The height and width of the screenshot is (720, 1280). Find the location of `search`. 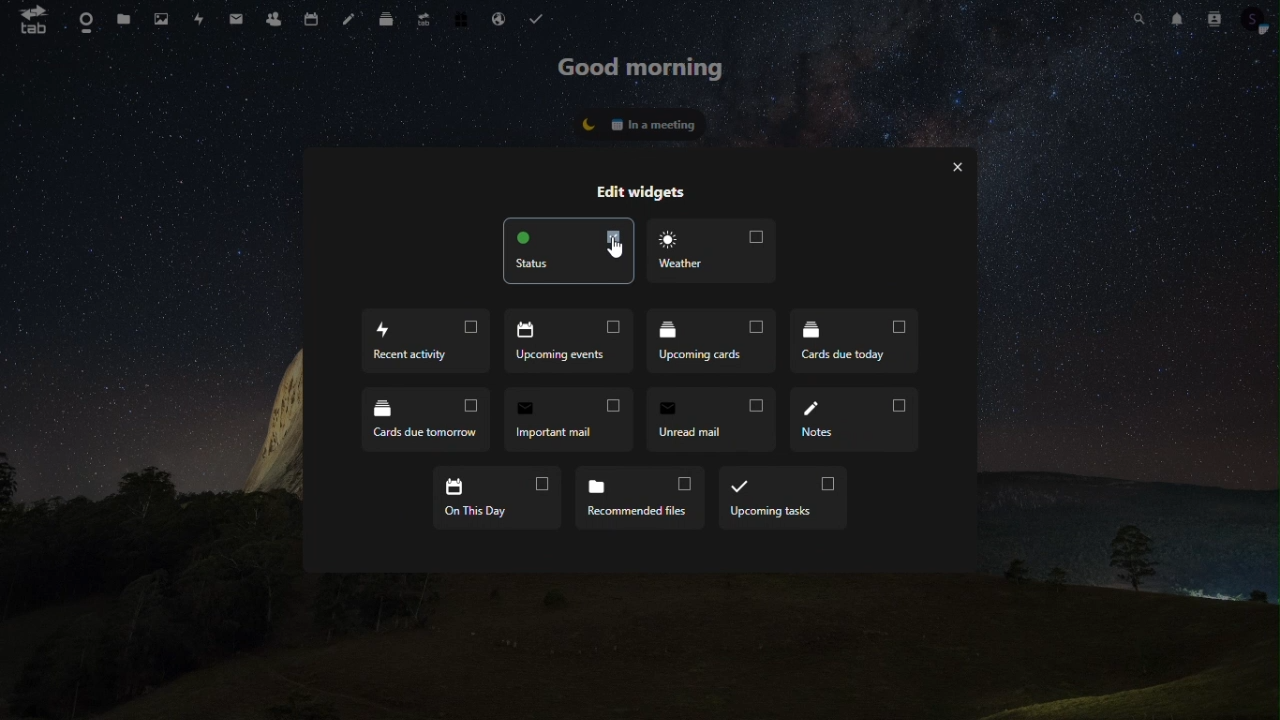

search is located at coordinates (1140, 21).